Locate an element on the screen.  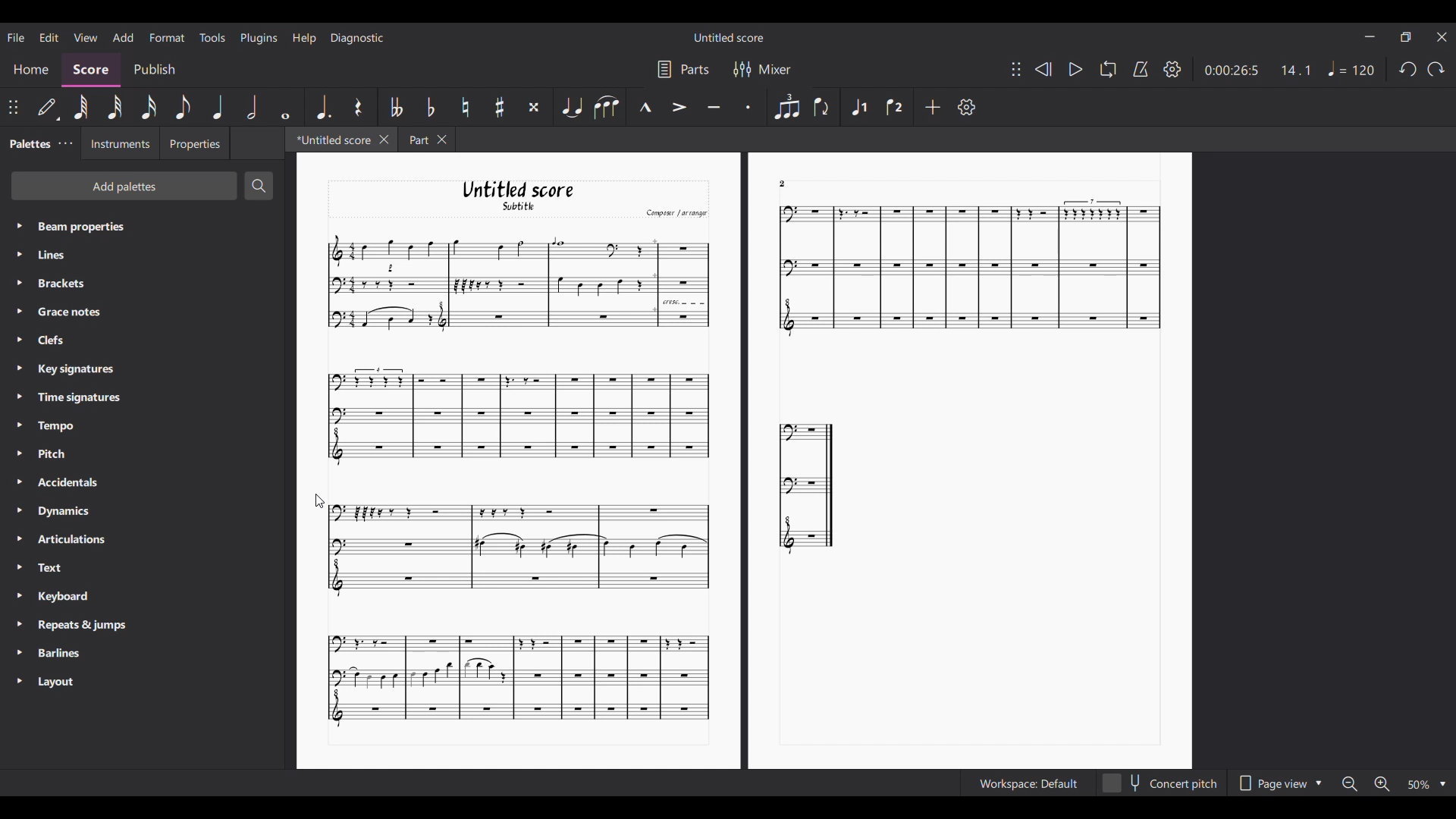
Close interface is located at coordinates (1442, 37).